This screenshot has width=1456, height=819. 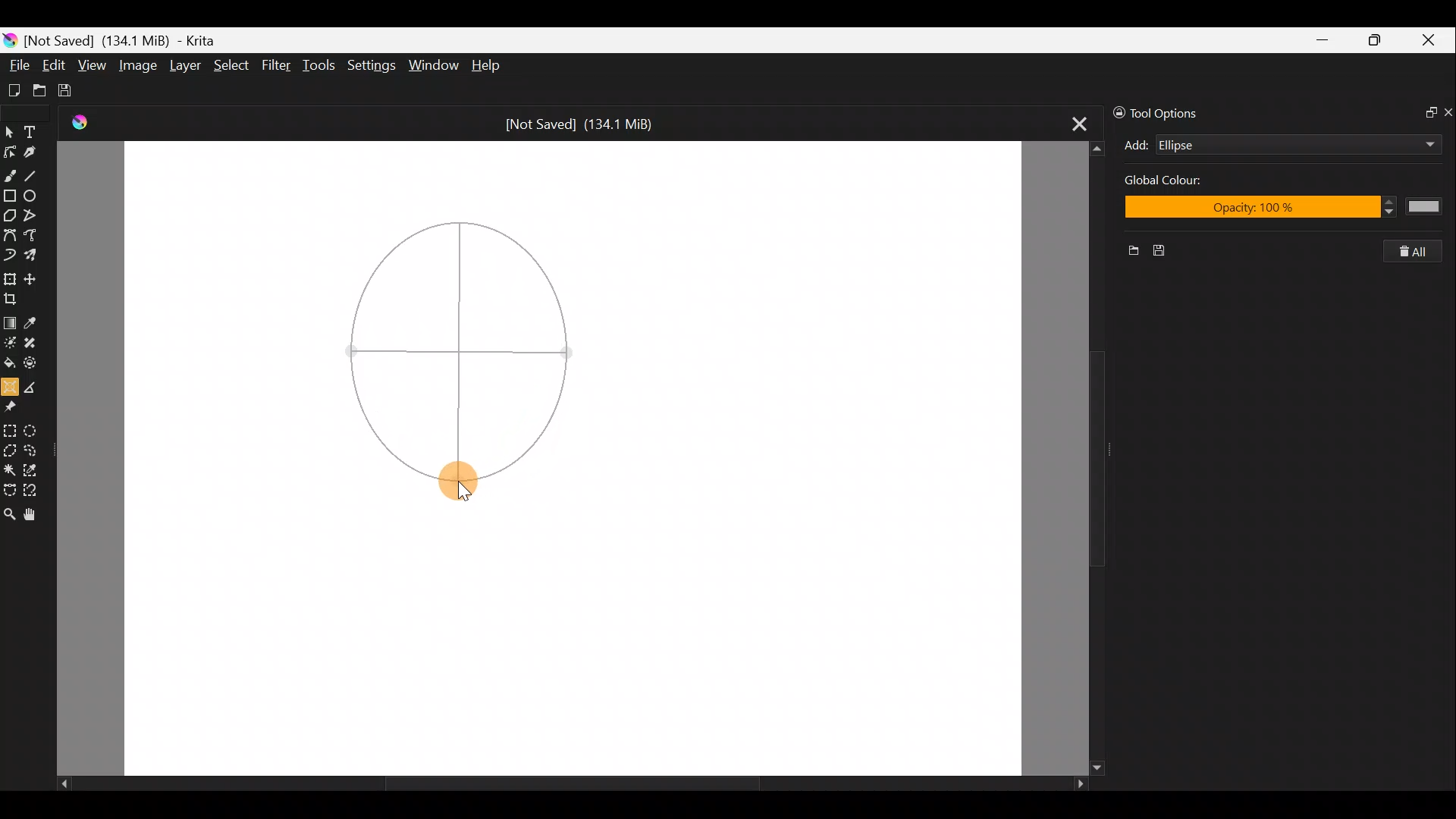 What do you see at coordinates (74, 91) in the screenshot?
I see `Save` at bounding box center [74, 91].